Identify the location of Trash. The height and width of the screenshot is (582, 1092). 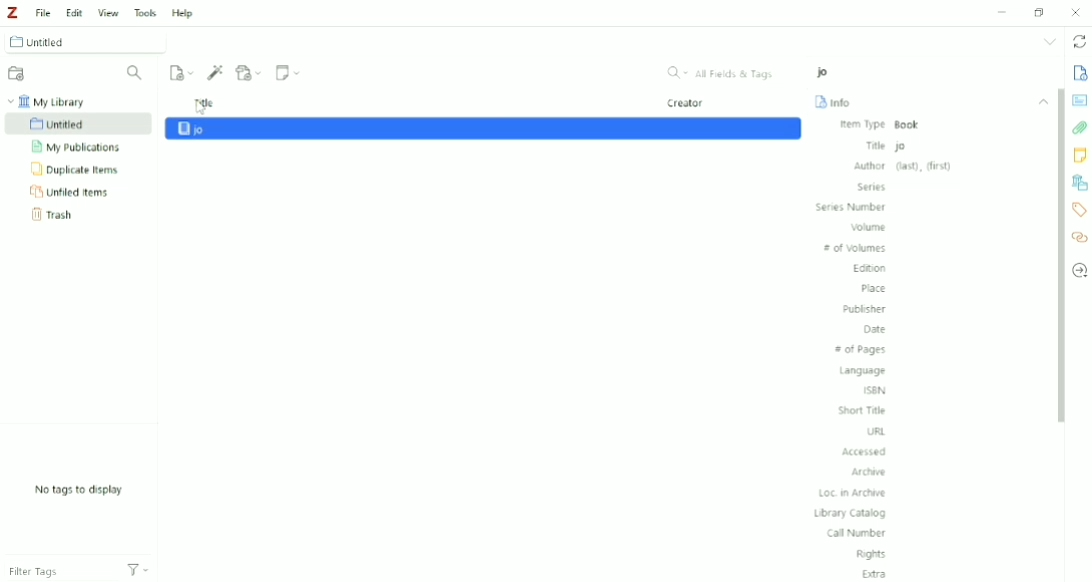
(61, 214).